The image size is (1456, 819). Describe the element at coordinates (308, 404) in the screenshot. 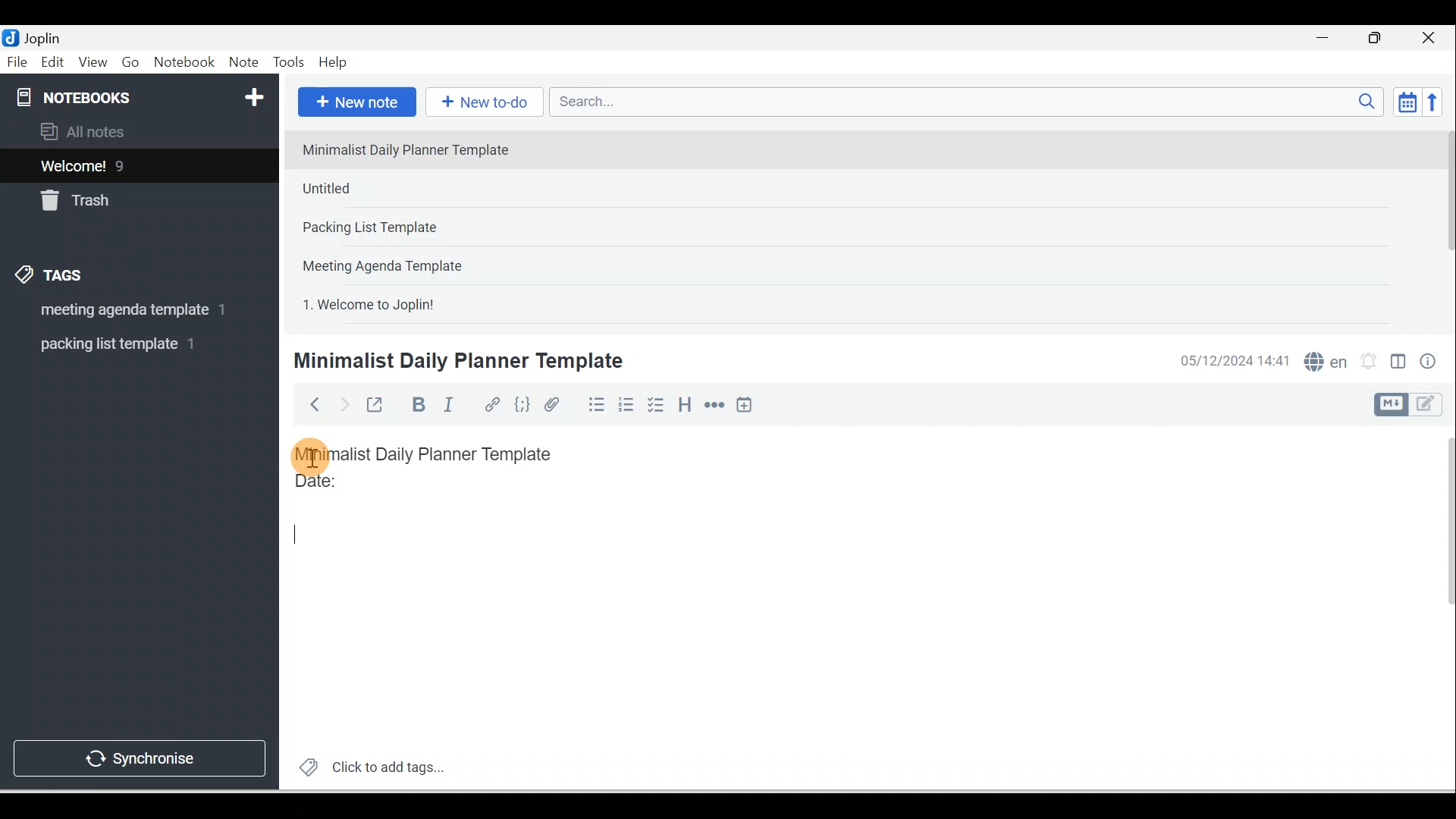

I see `Back` at that location.